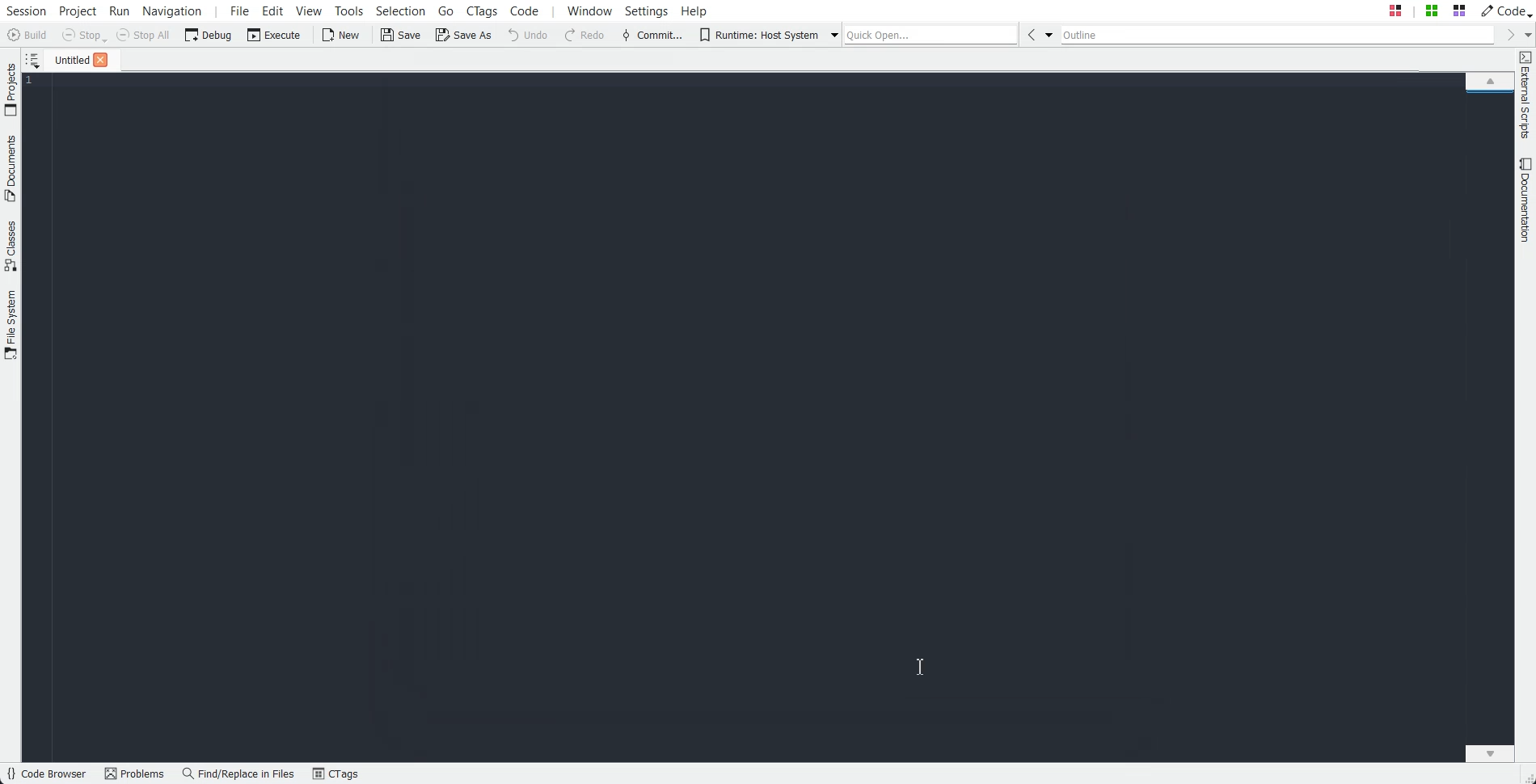 This screenshot has height=784, width=1536. Describe the element at coordinates (920, 667) in the screenshot. I see `Text Cursor` at that location.